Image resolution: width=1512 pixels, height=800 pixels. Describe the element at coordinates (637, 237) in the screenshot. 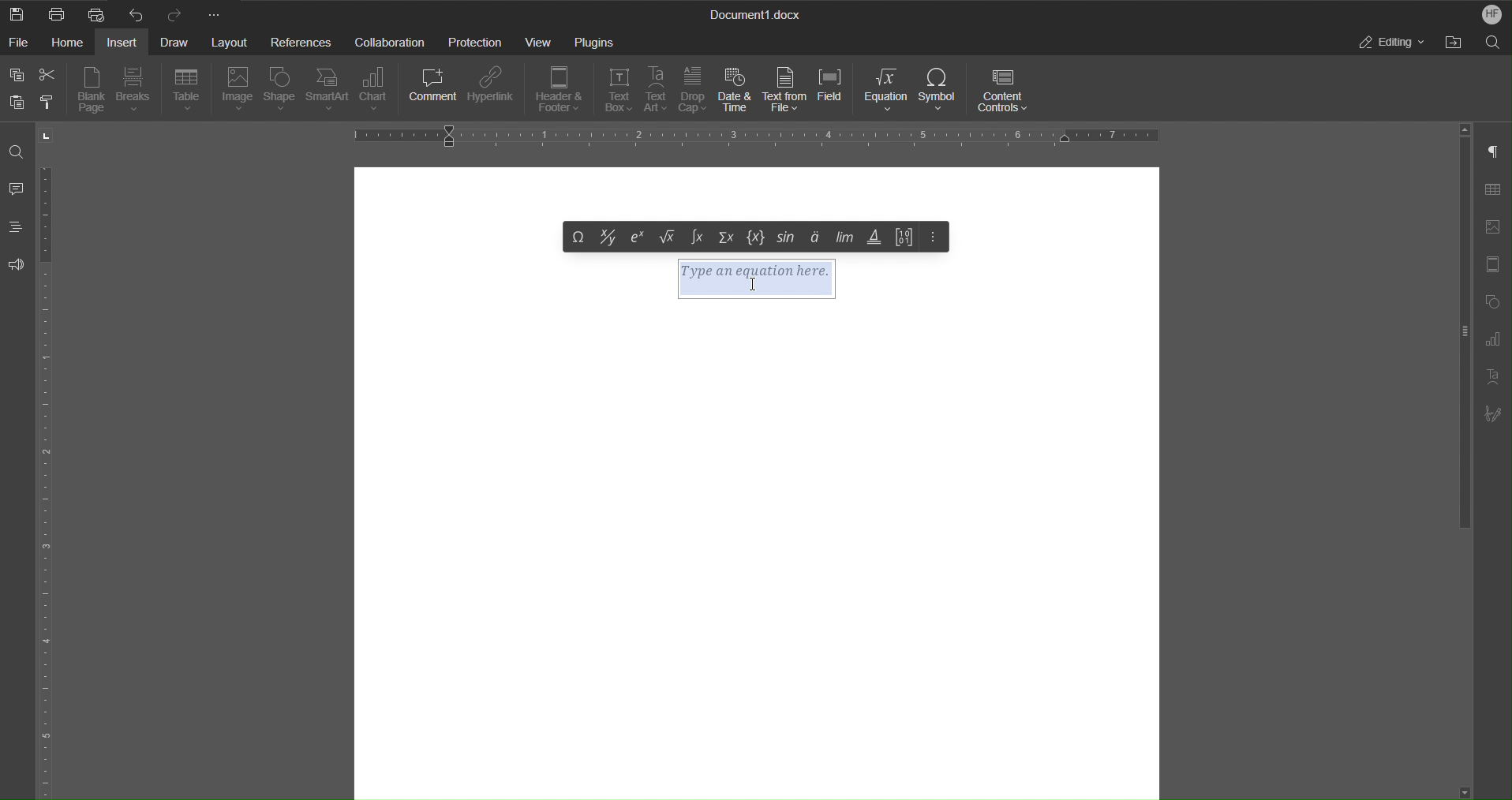

I see `Exponent` at that location.